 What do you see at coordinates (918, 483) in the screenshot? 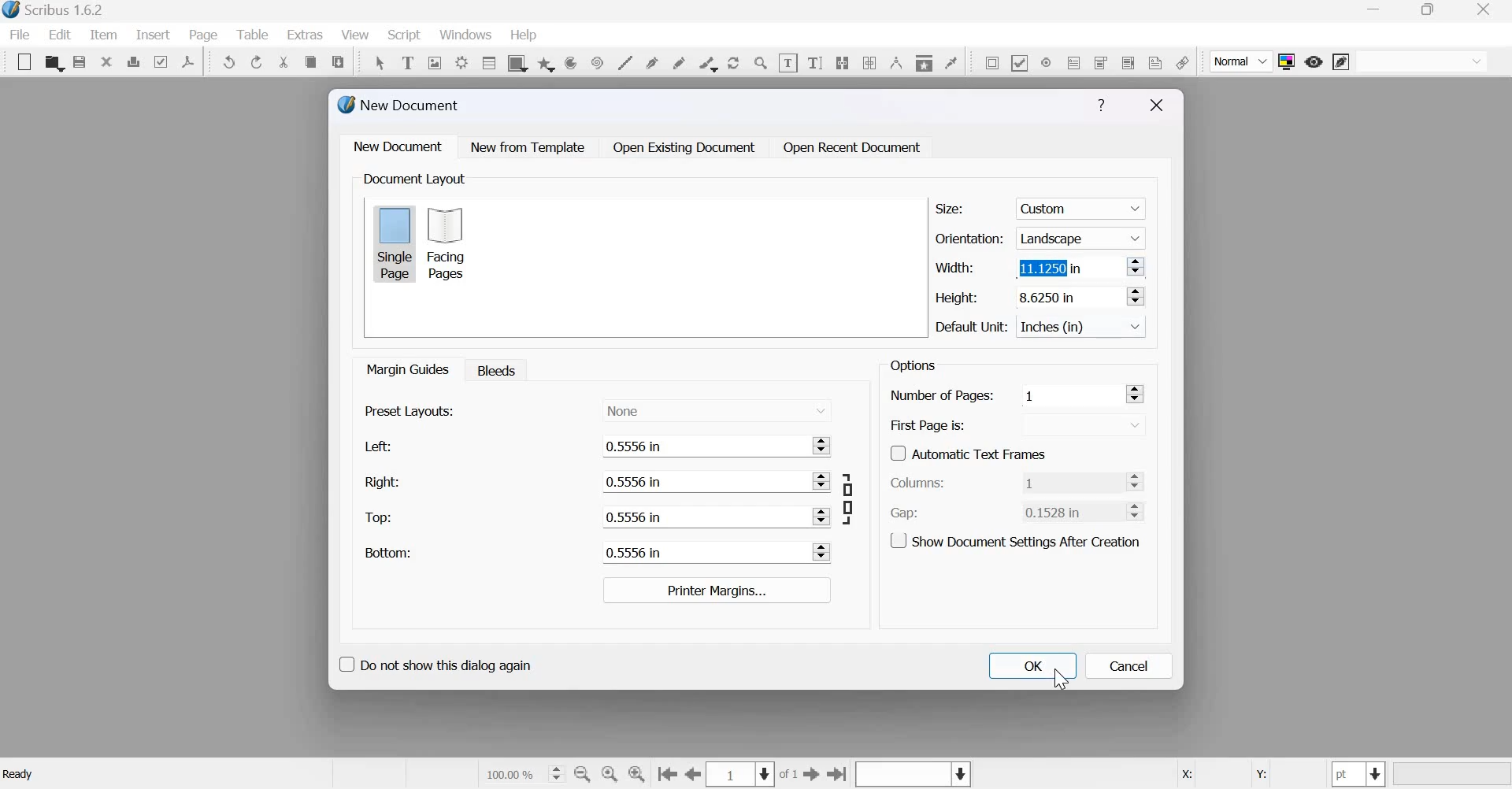
I see `Columns:` at bounding box center [918, 483].